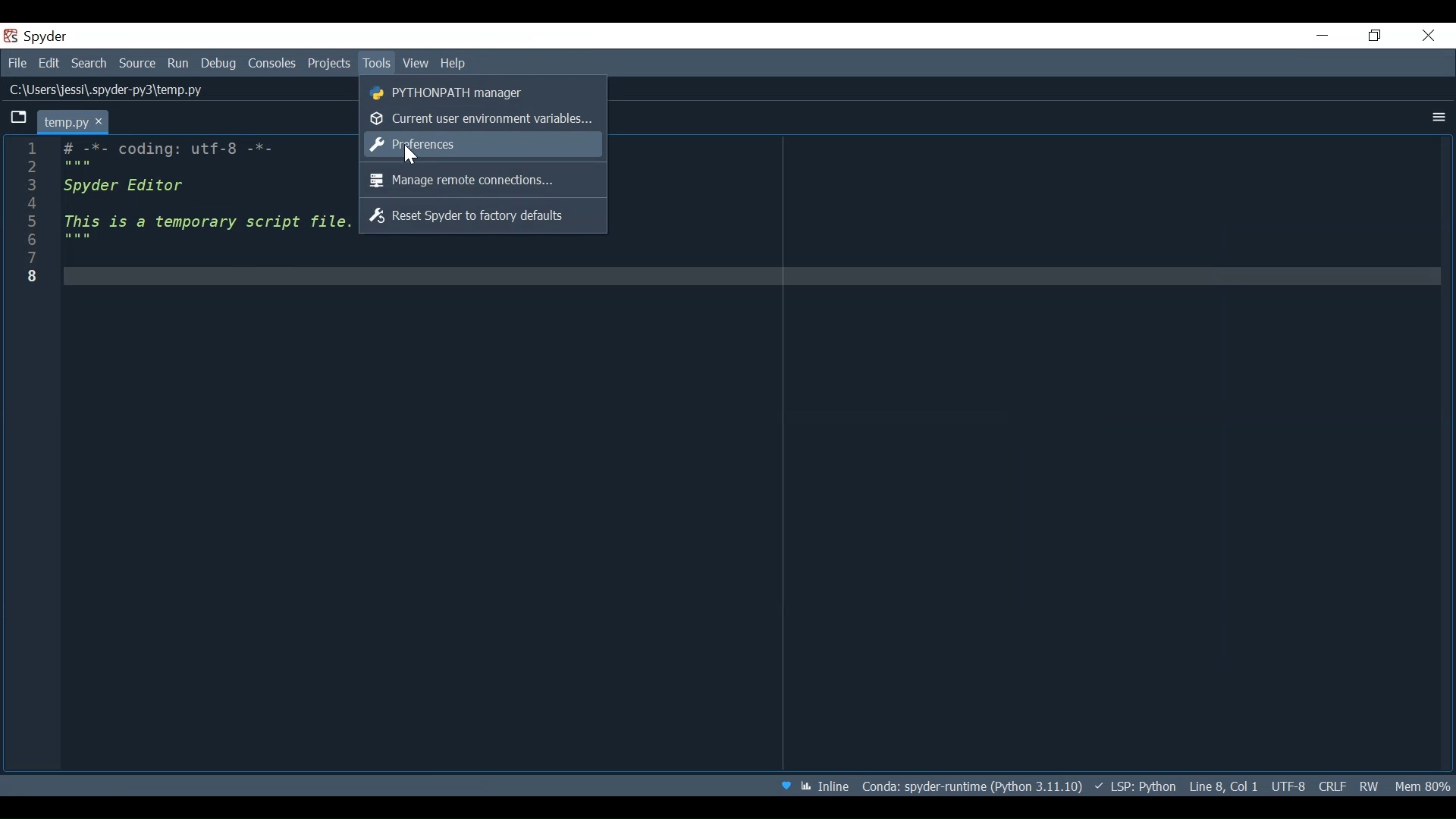  What do you see at coordinates (1370, 786) in the screenshot?
I see `File Permission` at bounding box center [1370, 786].